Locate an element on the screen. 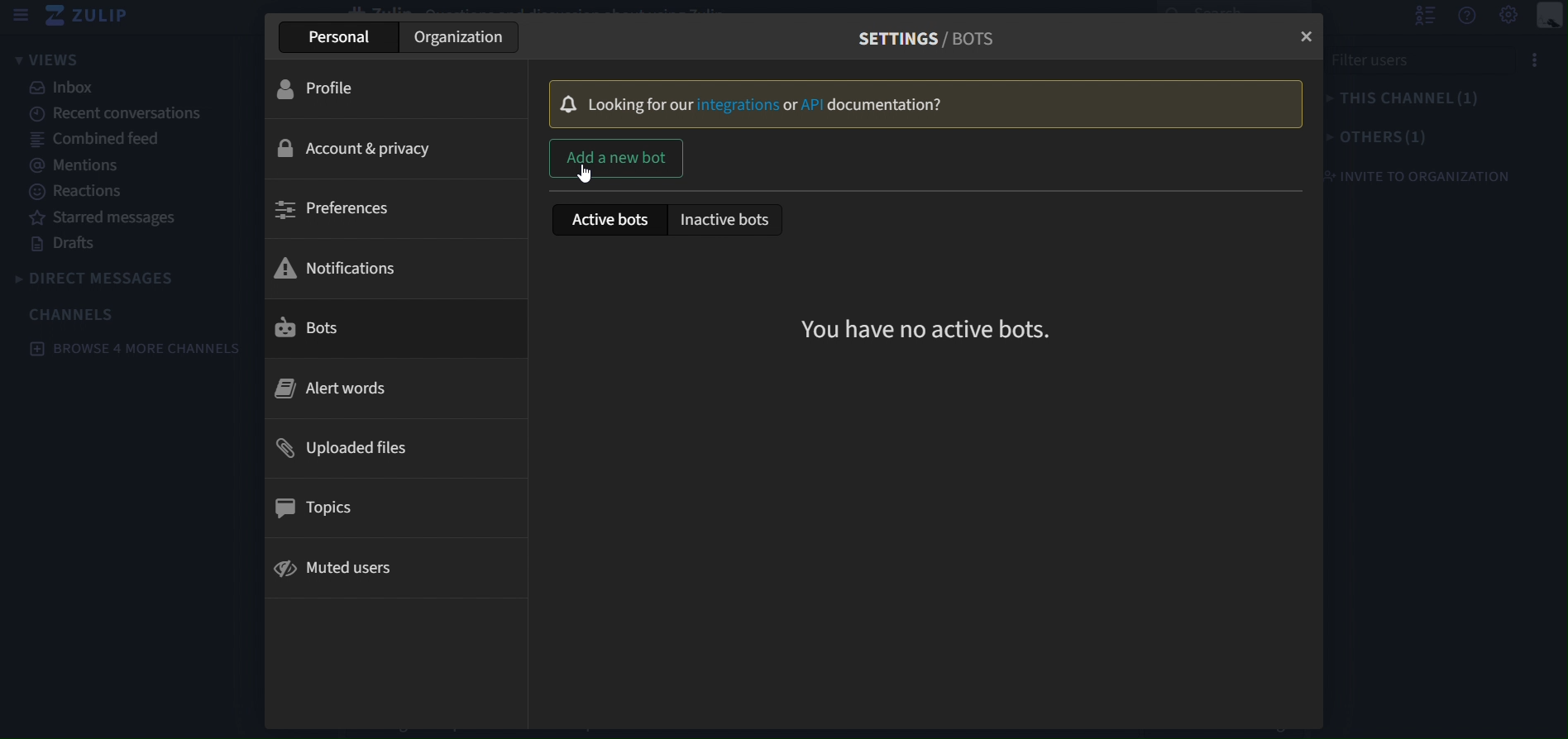 The image size is (1568, 739). invite to organization is located at coordinates (1419, 176).